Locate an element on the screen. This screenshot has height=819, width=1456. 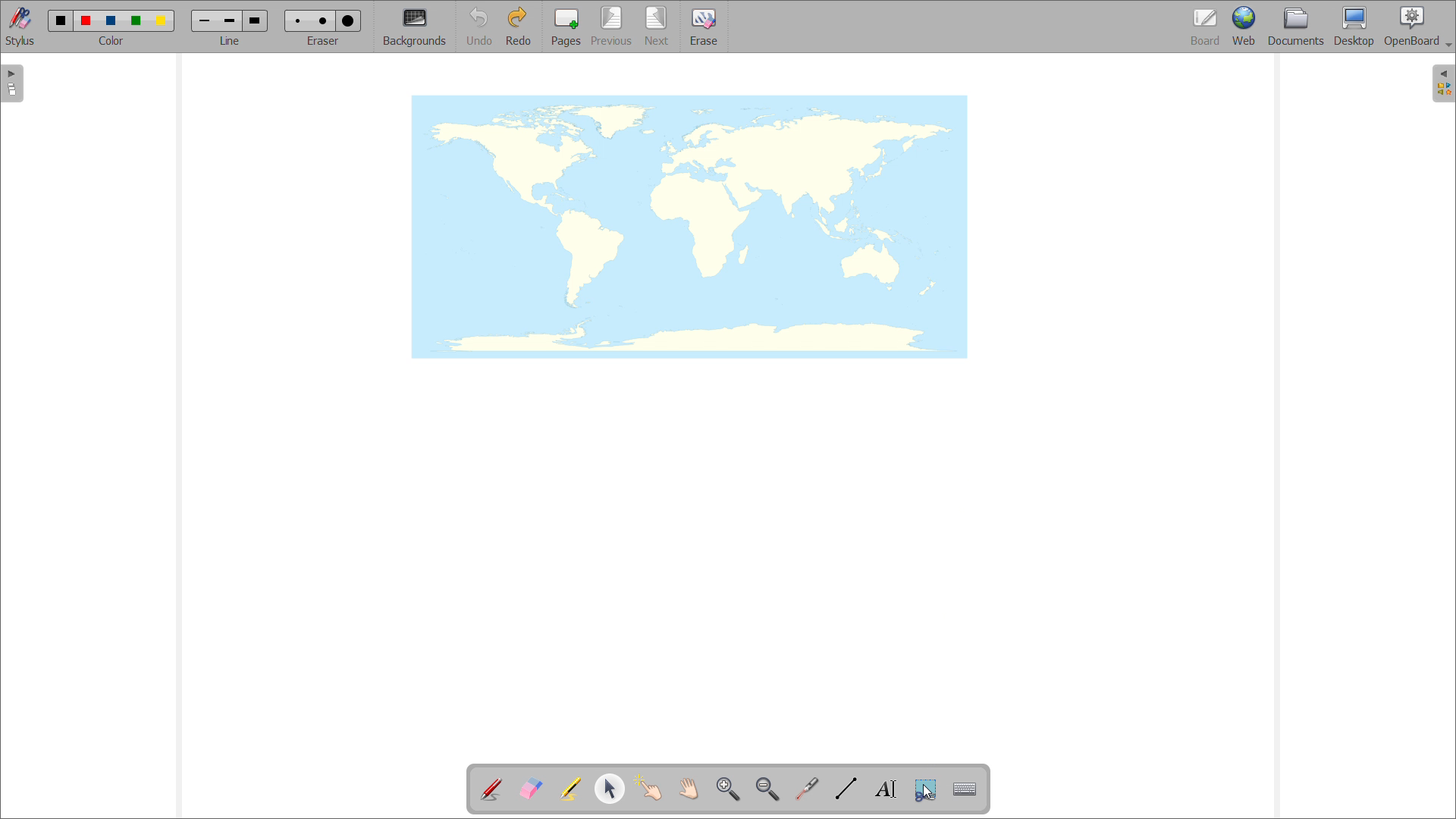
highlights is located at coordinates (570, 789).